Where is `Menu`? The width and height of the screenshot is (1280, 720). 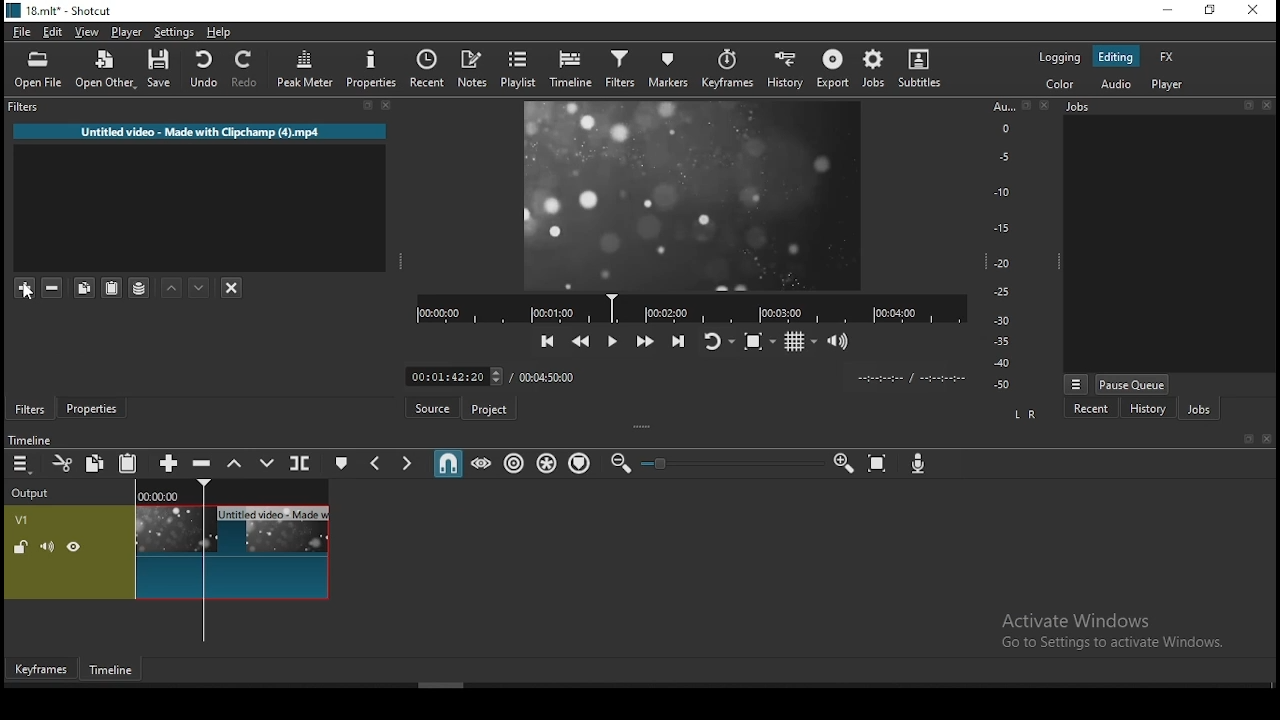
Menu is located at coordinates (1076, 384).